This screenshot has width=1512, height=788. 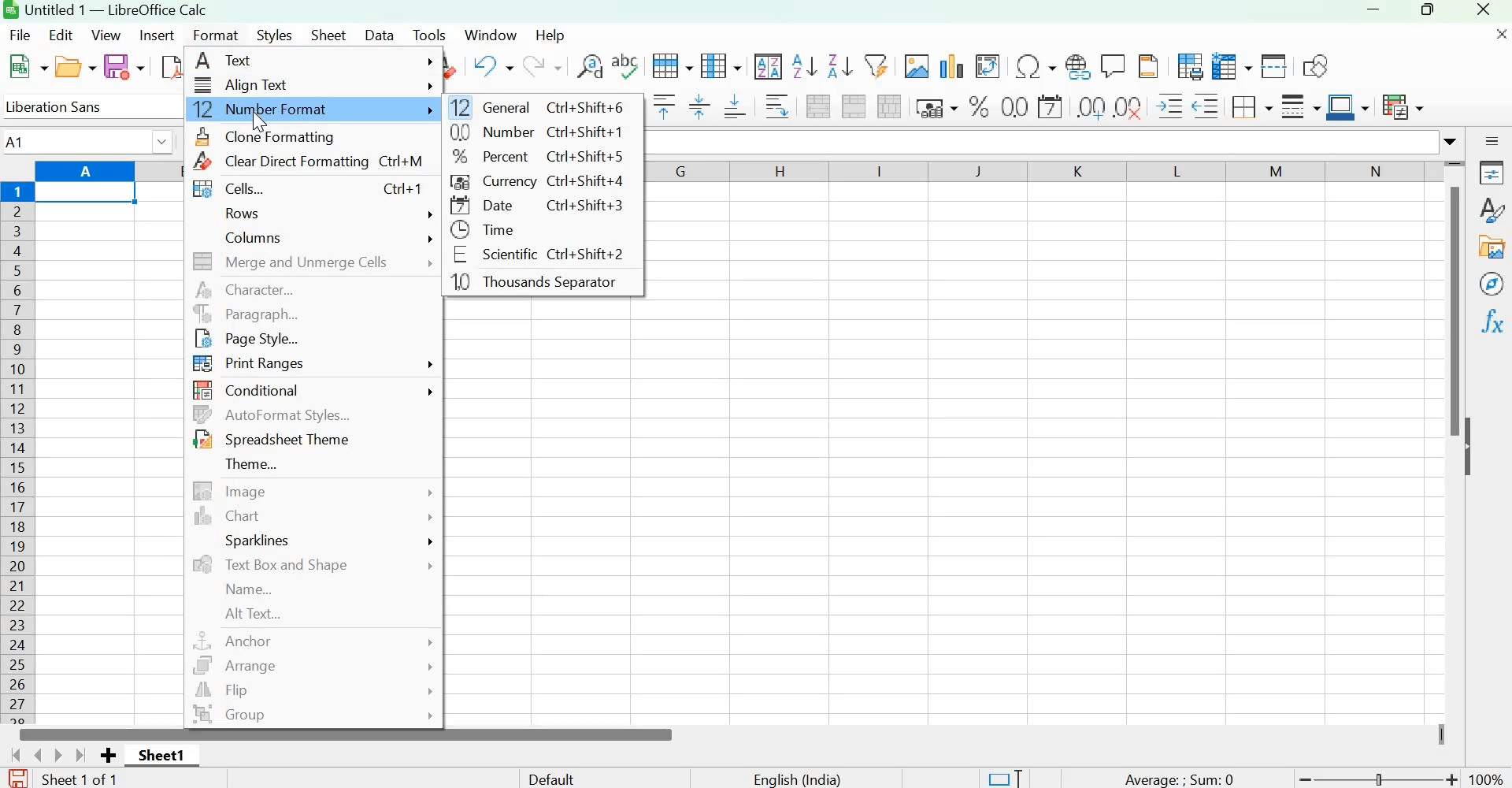 I want to click on Unmerge cells, so click(x=889, y=106).